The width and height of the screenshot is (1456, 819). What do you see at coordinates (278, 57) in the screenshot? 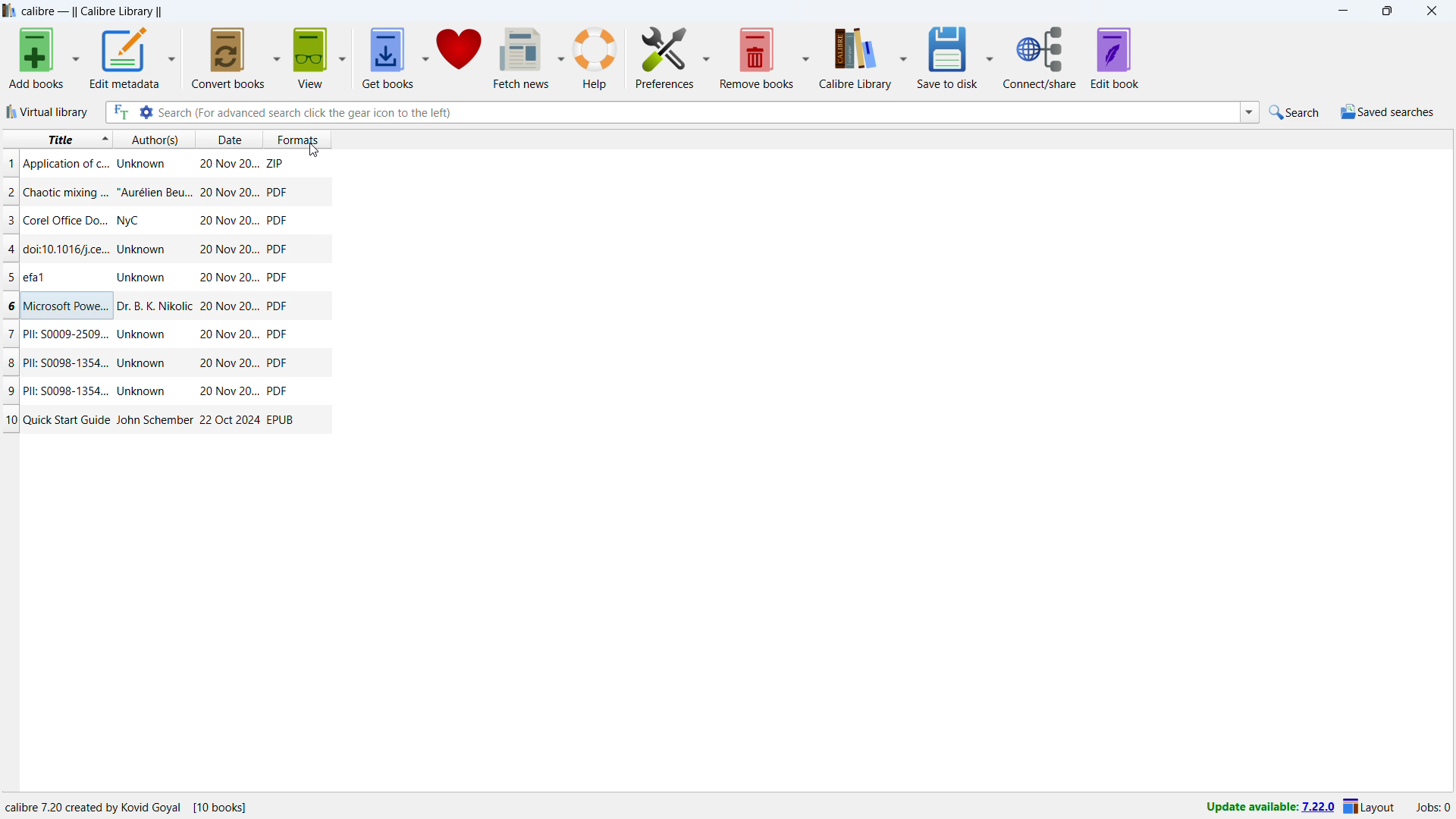
I see `convert books options` at bounding box center [278, 57].